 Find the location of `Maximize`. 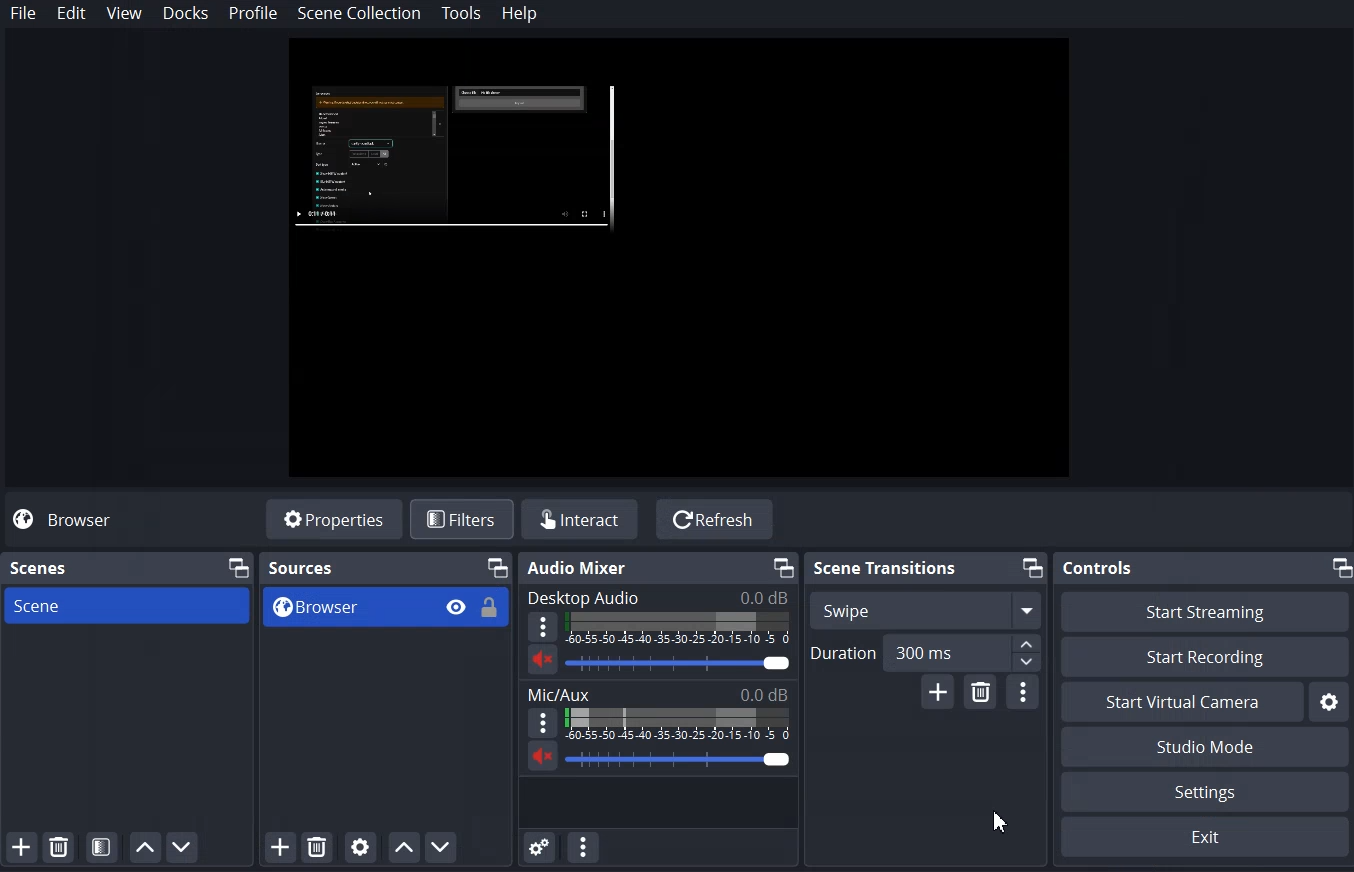

Maximize is located at coordinates (499, 567).